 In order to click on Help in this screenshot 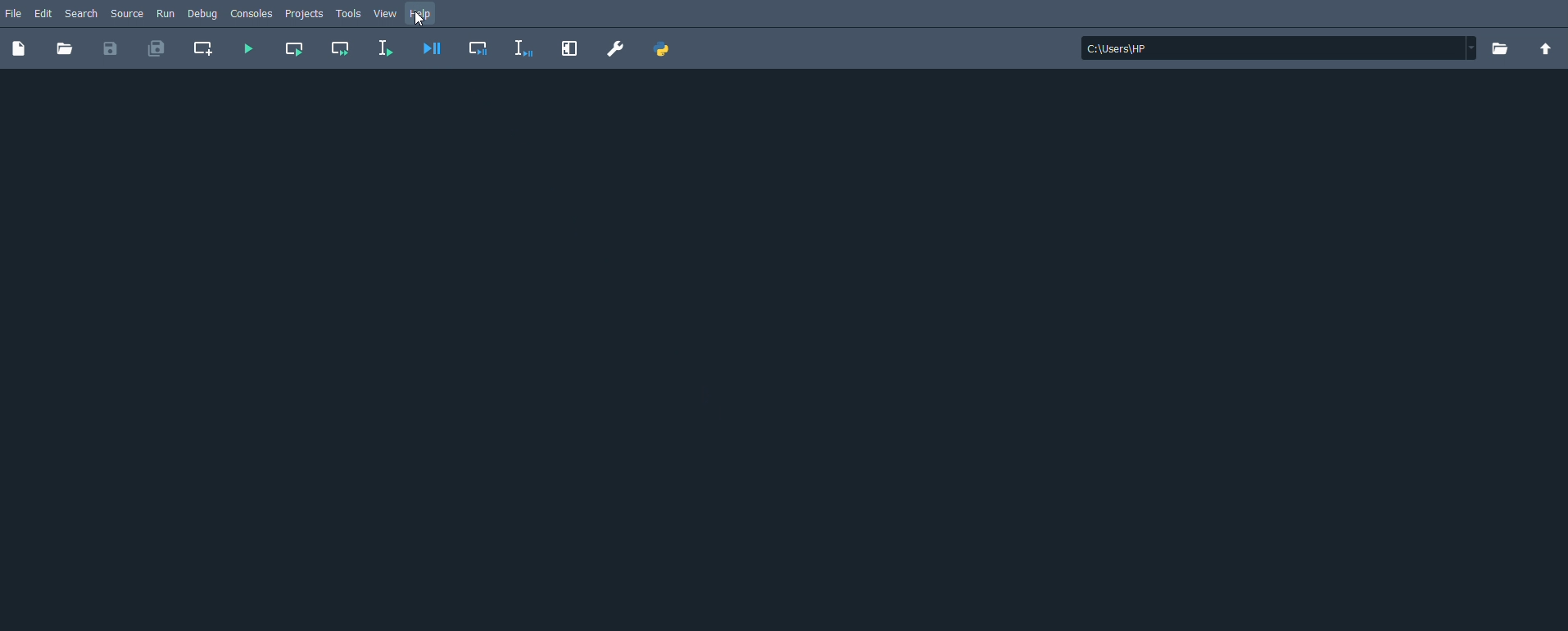, I will do `click(422, 12)`.